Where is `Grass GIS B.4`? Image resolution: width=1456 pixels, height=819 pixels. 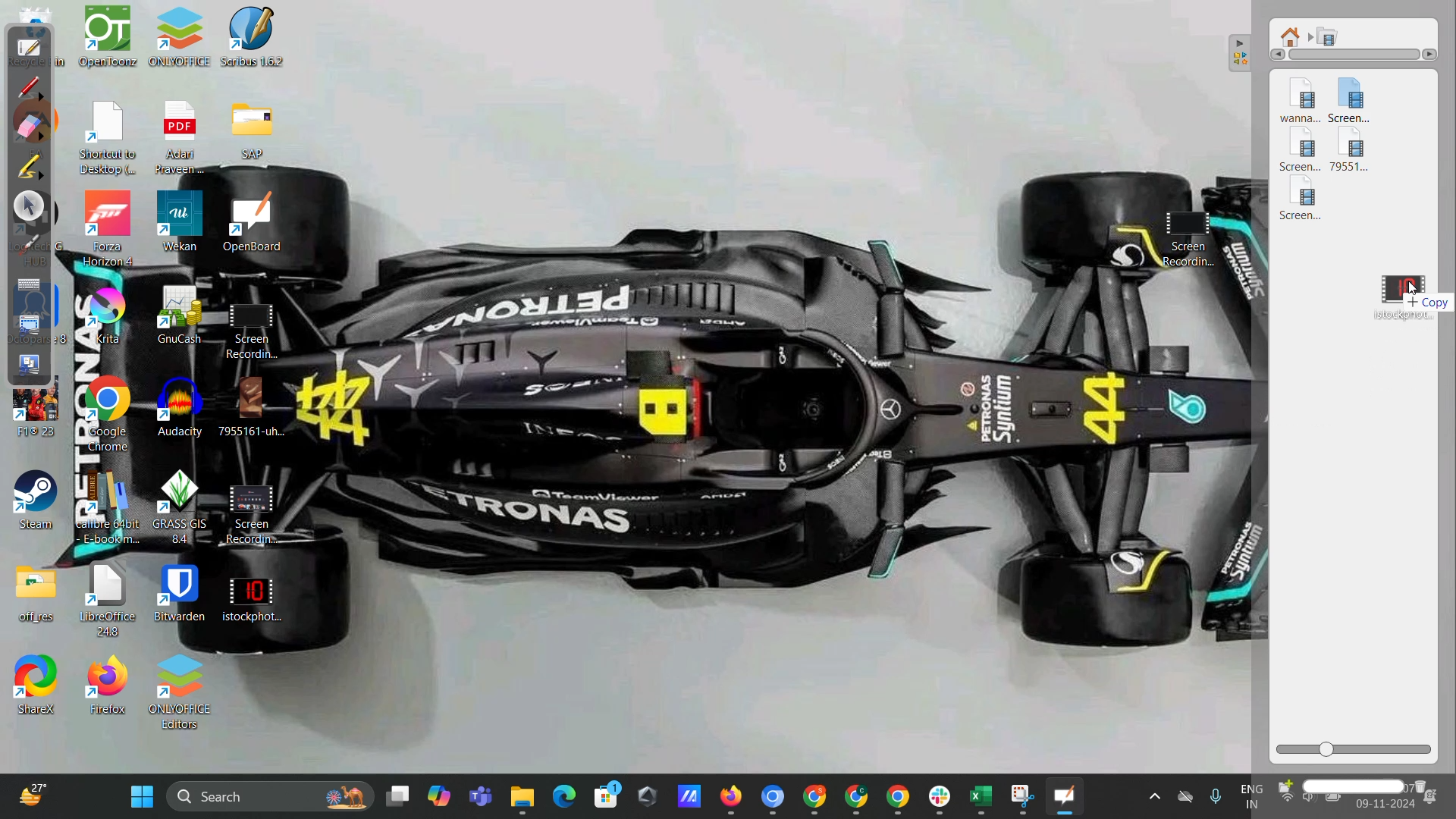 Grass GIS B.4 is located at coordinates (180, 506).